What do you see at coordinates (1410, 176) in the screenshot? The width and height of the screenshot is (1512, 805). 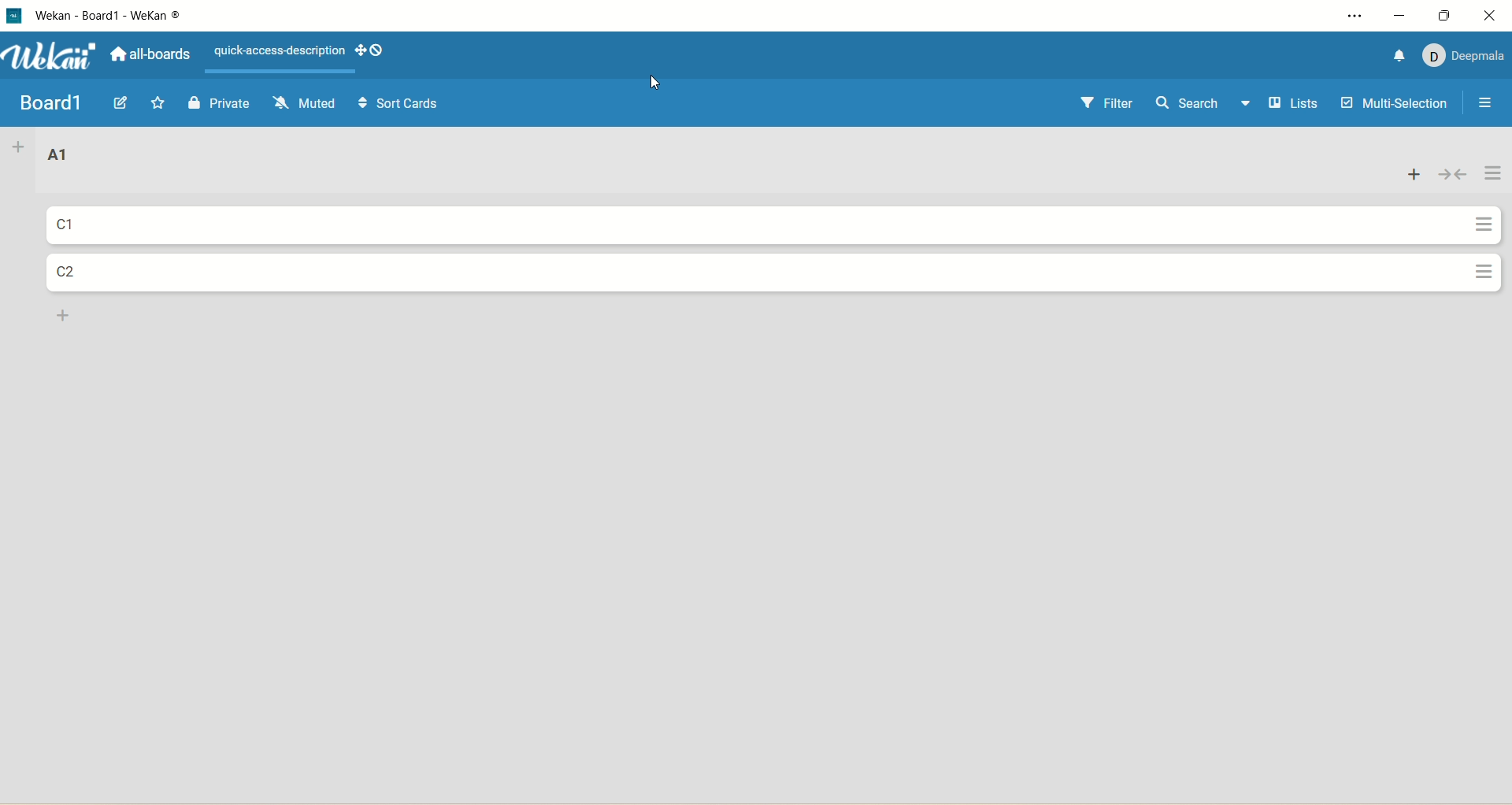 I see `add` at bounding box center [1410, 176].